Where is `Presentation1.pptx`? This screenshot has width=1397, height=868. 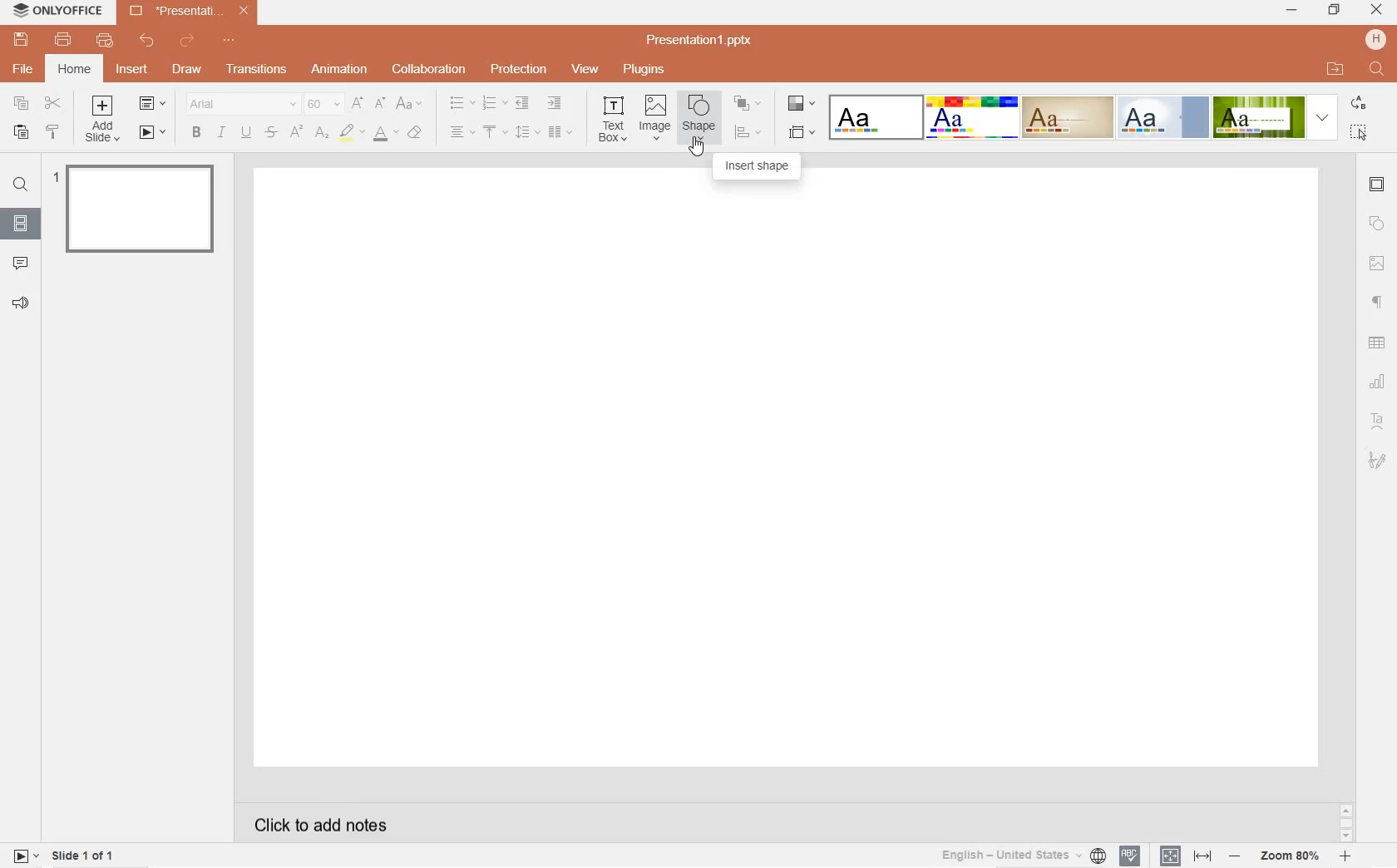
Presentation1.pptx is located at coordinates (702, 40).